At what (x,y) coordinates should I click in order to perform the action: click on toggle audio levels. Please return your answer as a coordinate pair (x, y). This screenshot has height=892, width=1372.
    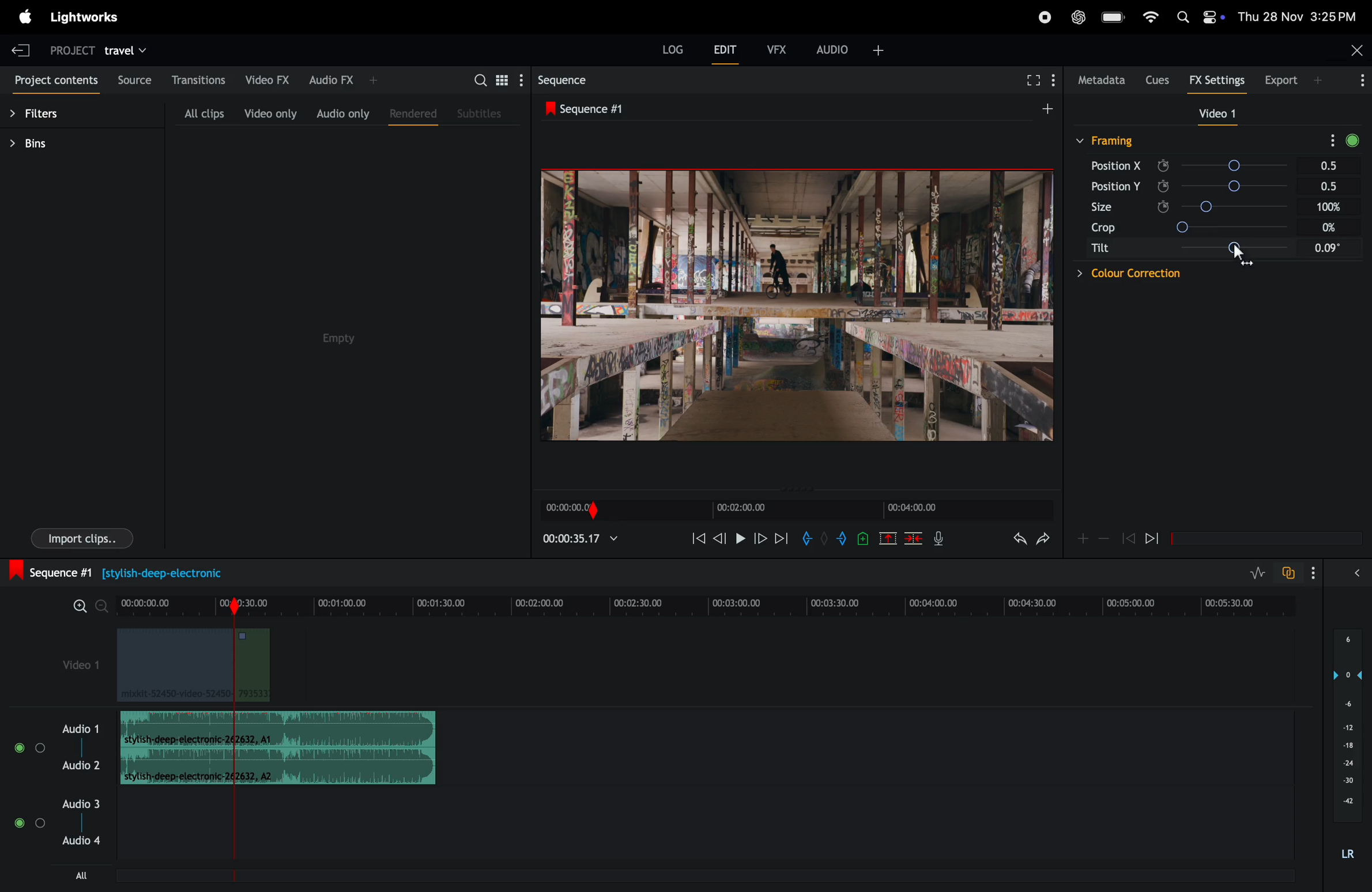
    Looking at the image, I should click on (1255, 571).